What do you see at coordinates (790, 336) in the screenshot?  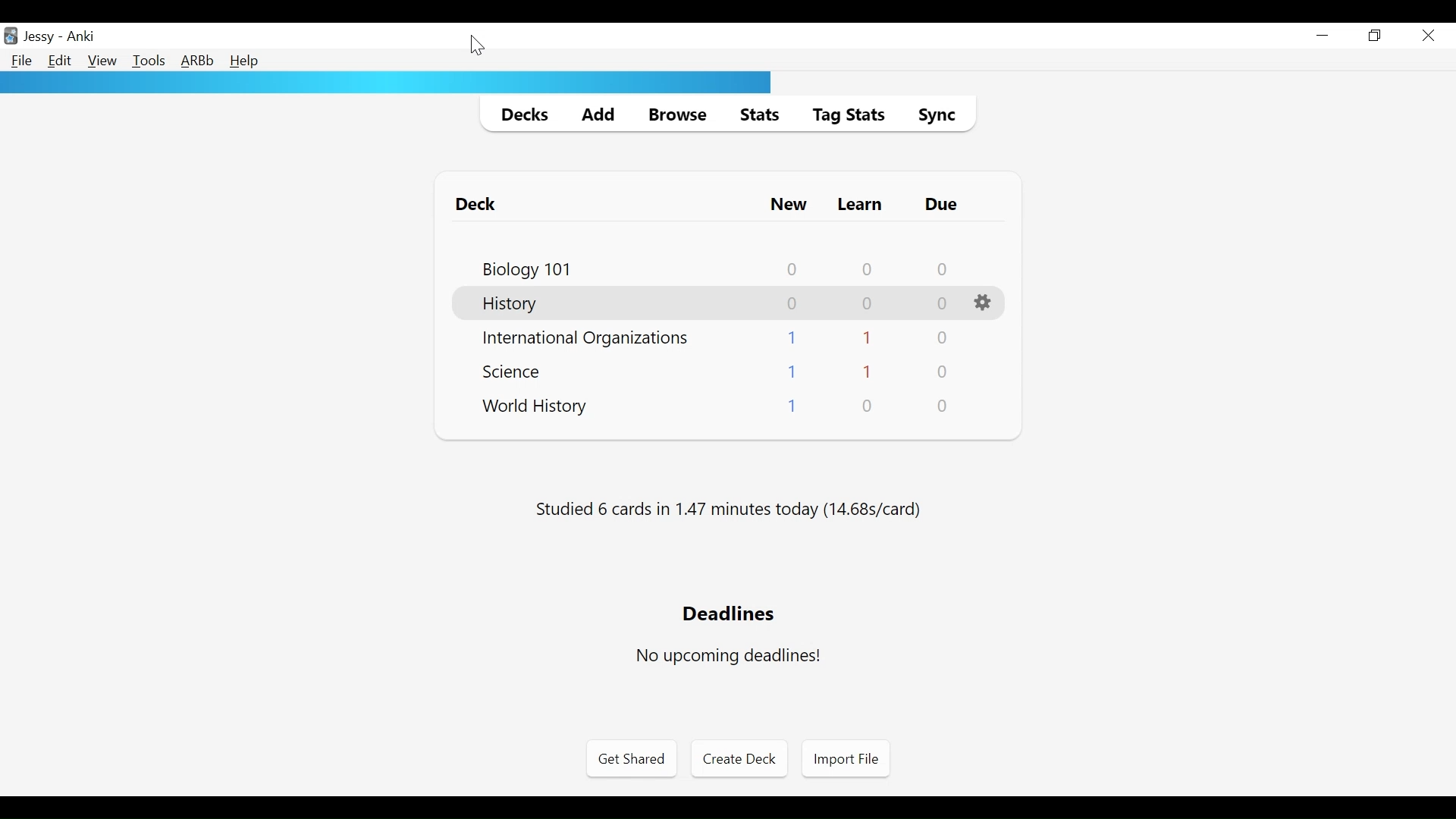 I see `New Card Name` at bounding box center [790, 336].